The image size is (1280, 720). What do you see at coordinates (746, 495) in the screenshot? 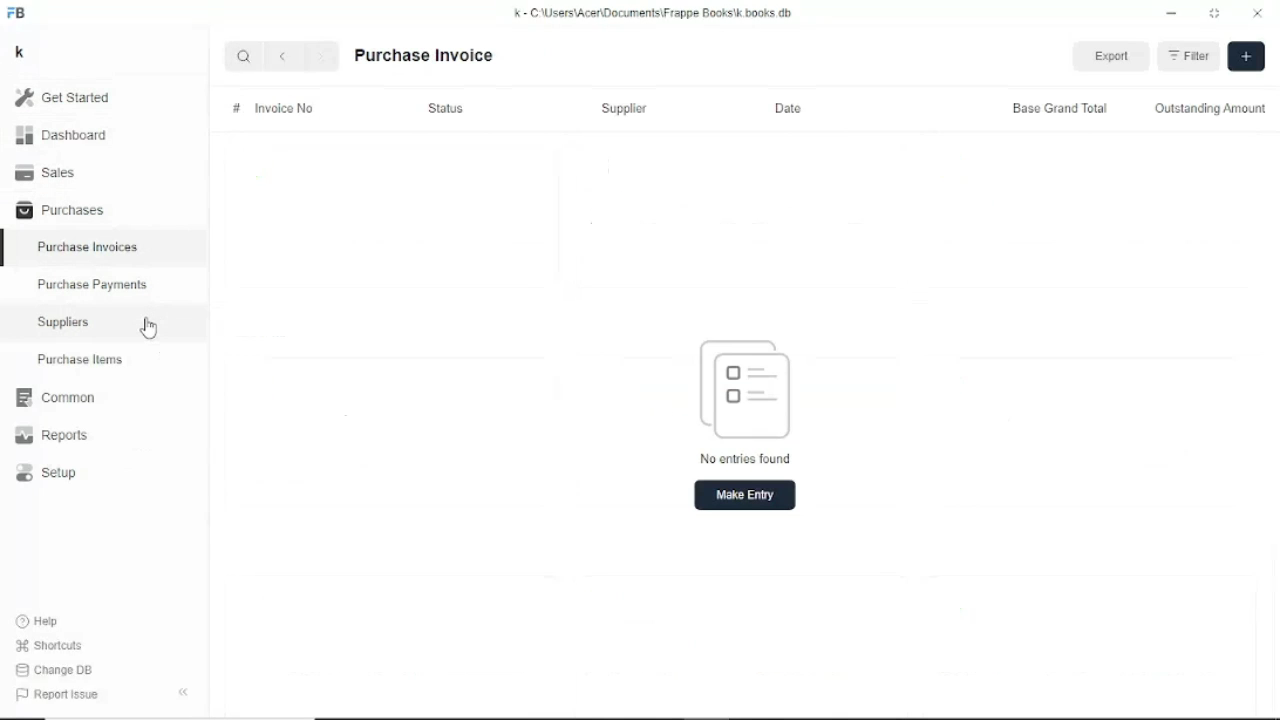
I see `Make entry` at bounding box center [746, 495].